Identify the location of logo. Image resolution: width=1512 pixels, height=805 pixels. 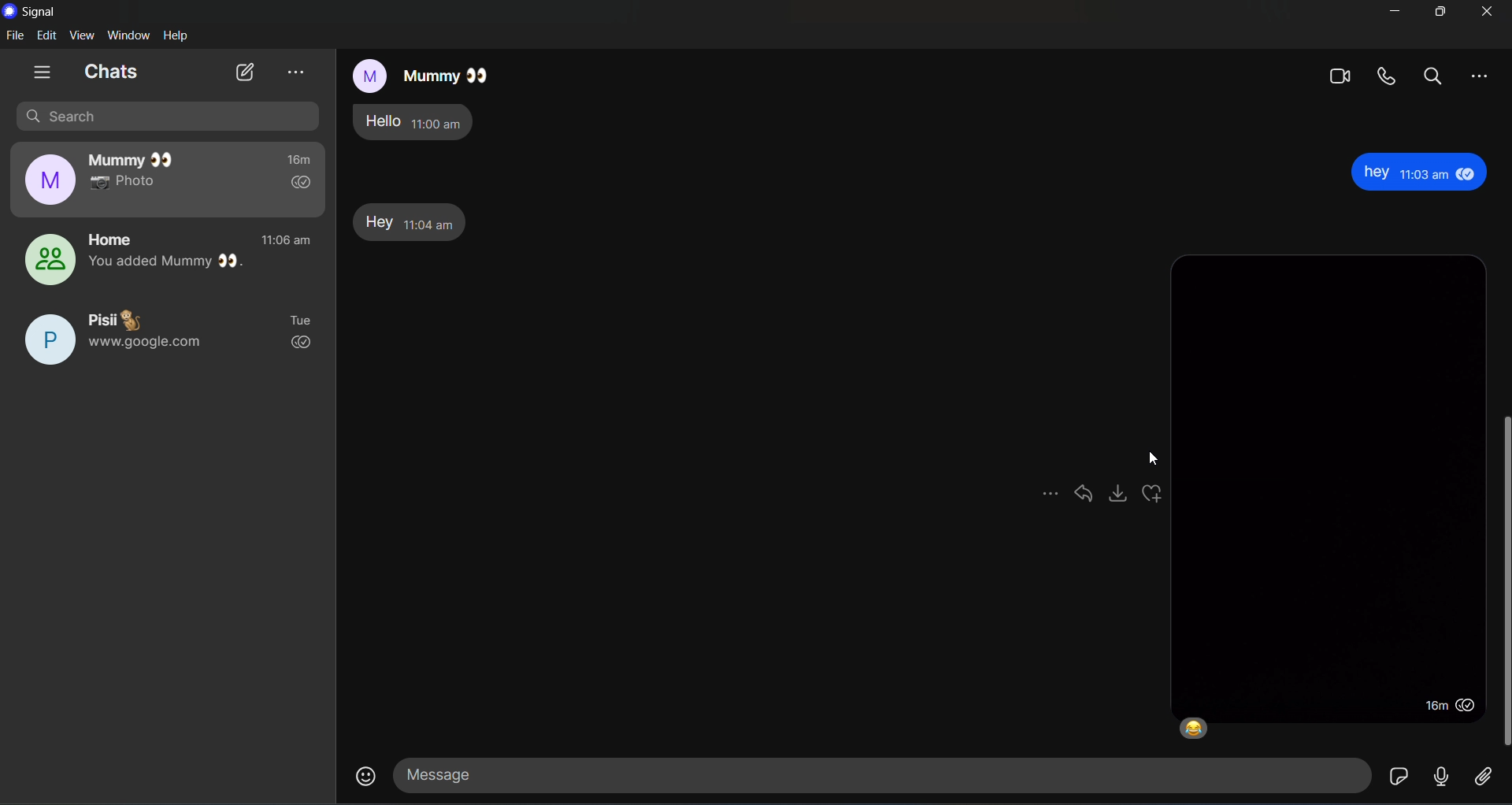
(12, 11).